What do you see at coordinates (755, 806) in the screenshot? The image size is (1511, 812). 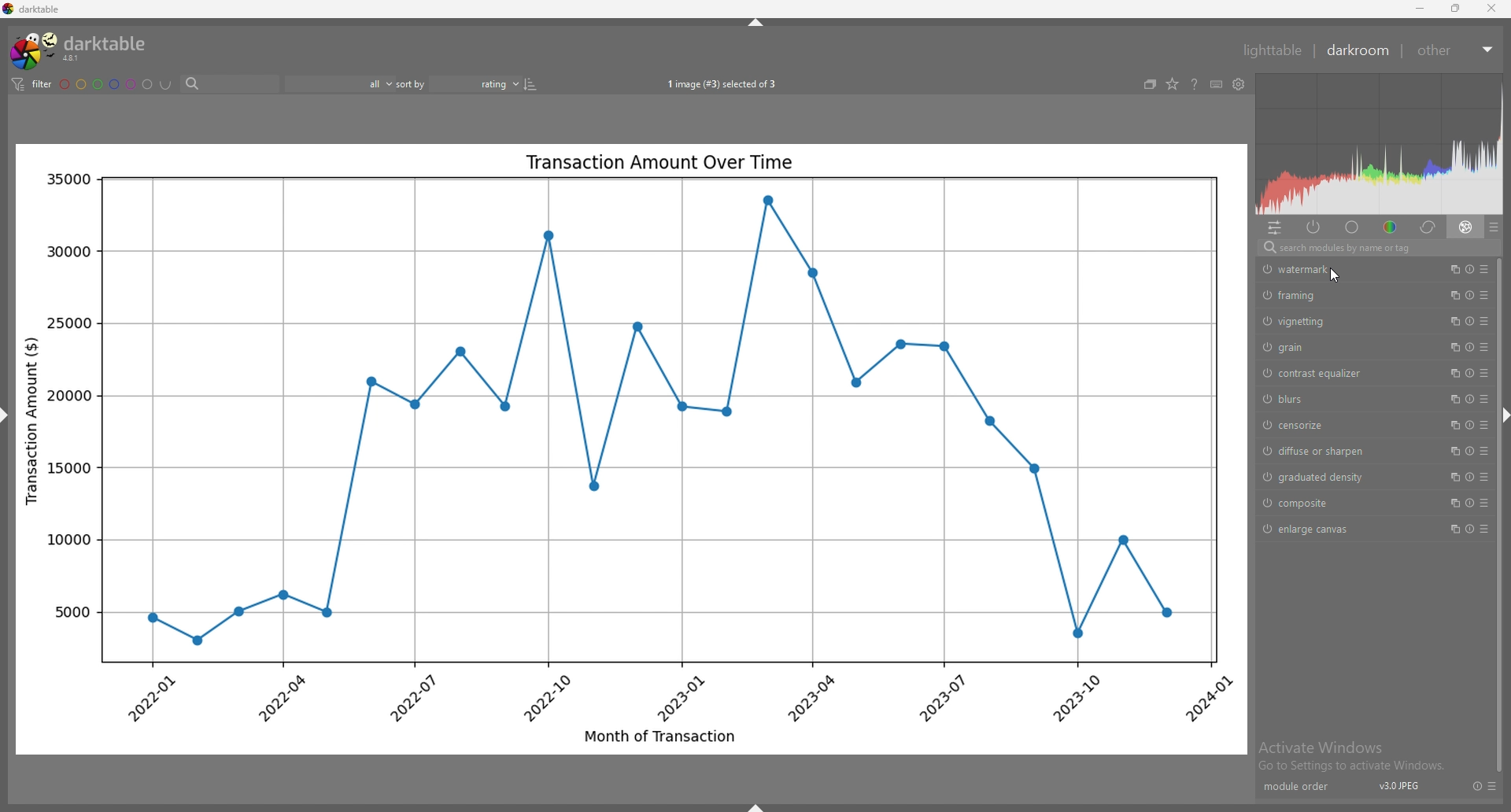 I see `hide` at bounding box center [755, 806].